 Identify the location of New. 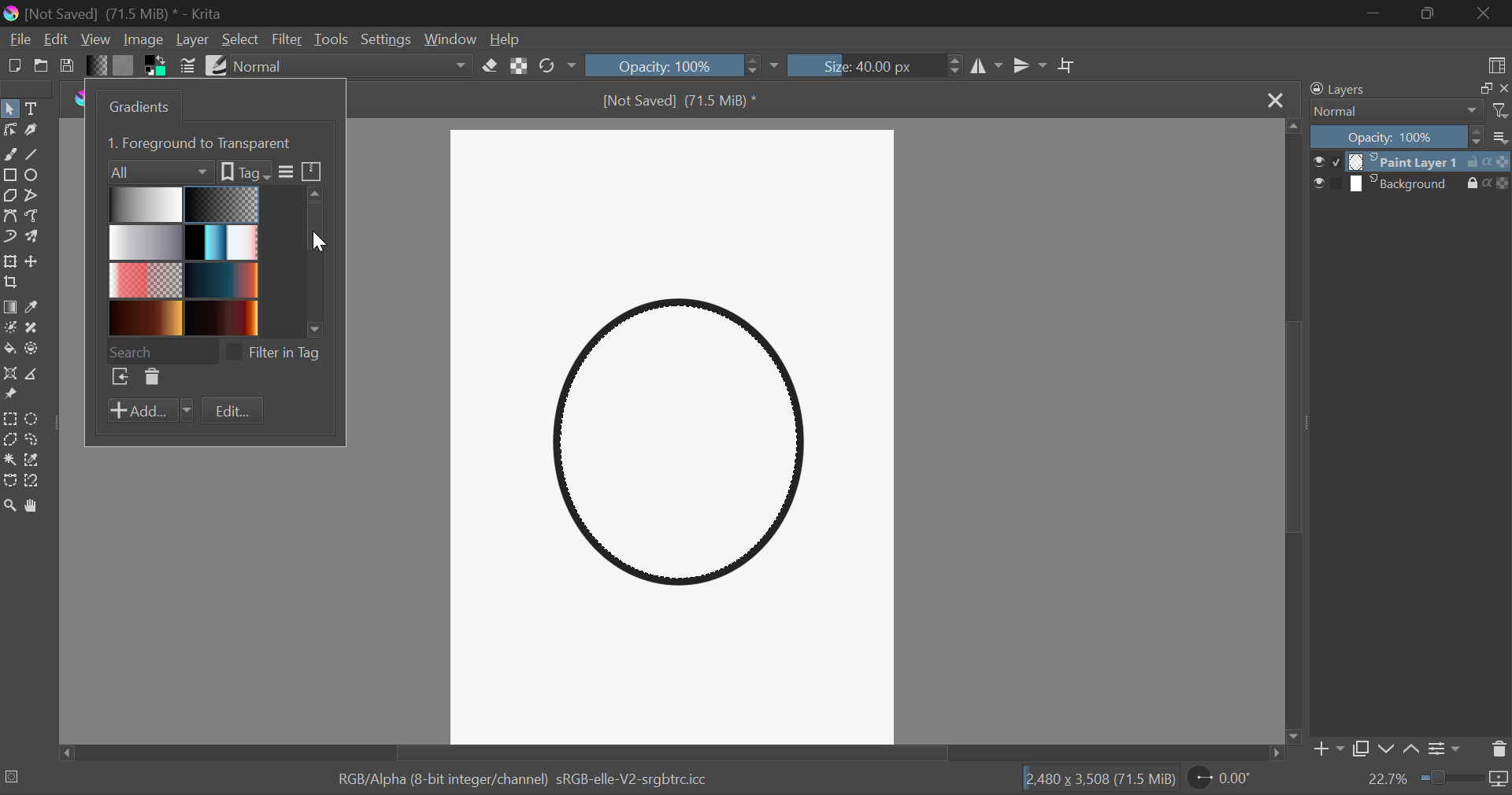
(13, 66).